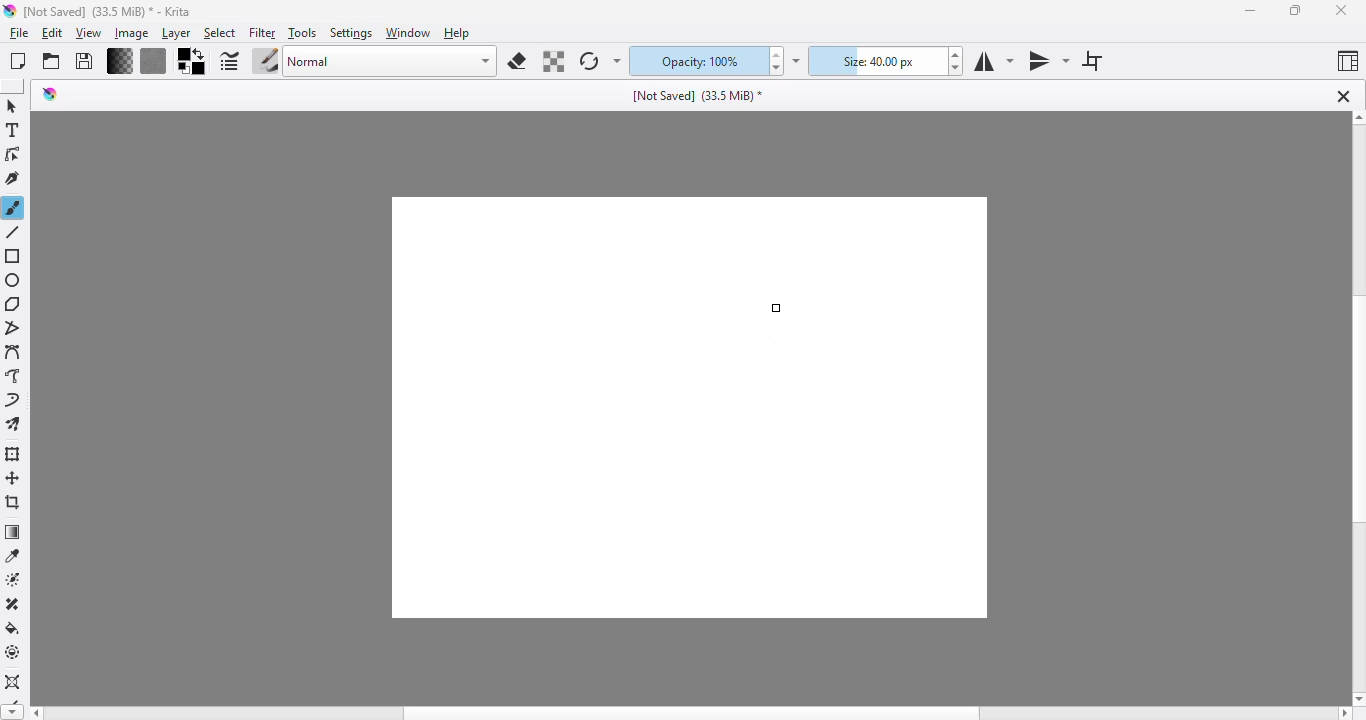 This screenshot has width=1366, height=720. What do you see at coordinates (1048, 62) in the screenshot?
I see `vertical mirror tool` at bounding box center [1048, 62].